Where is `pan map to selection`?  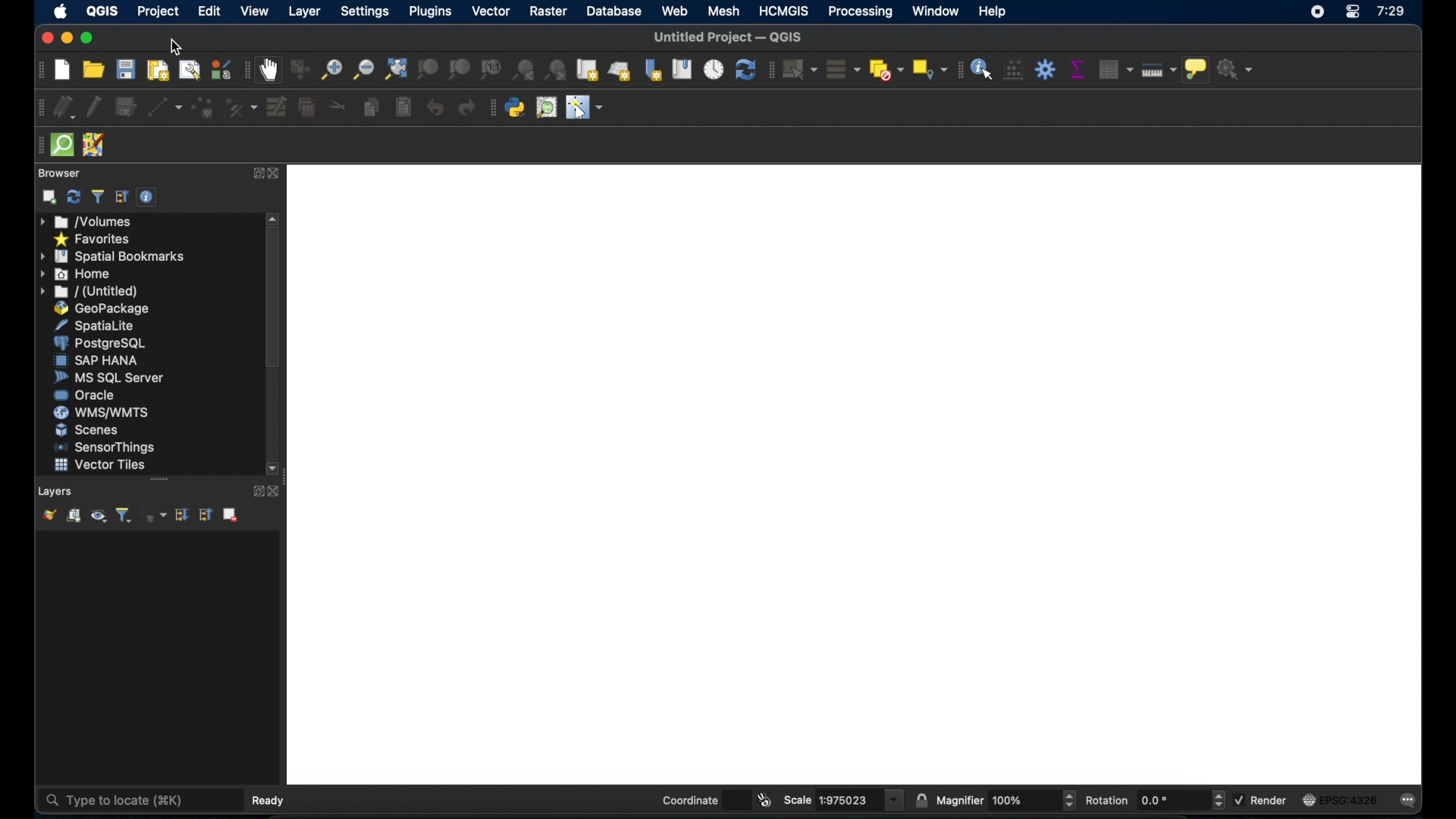 pan map to selection is located at coordinates (298, 69).